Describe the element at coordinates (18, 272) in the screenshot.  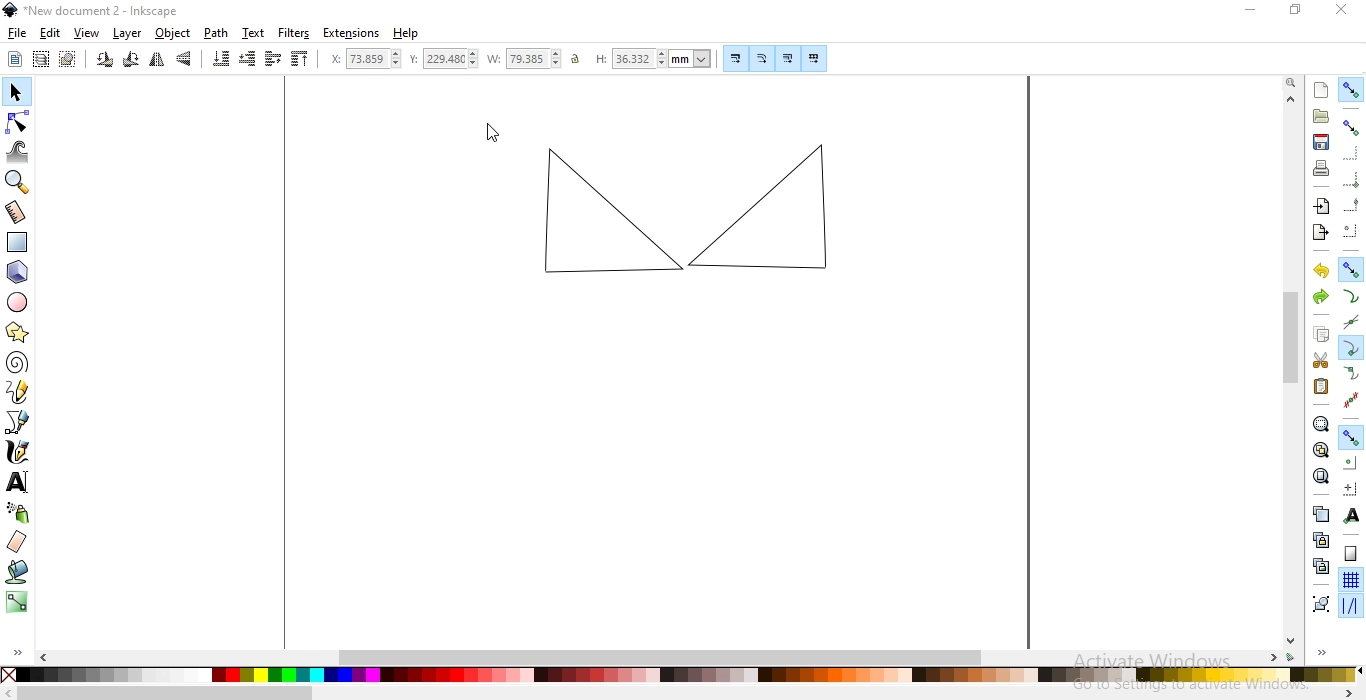
I see `create 3d object` at that location.